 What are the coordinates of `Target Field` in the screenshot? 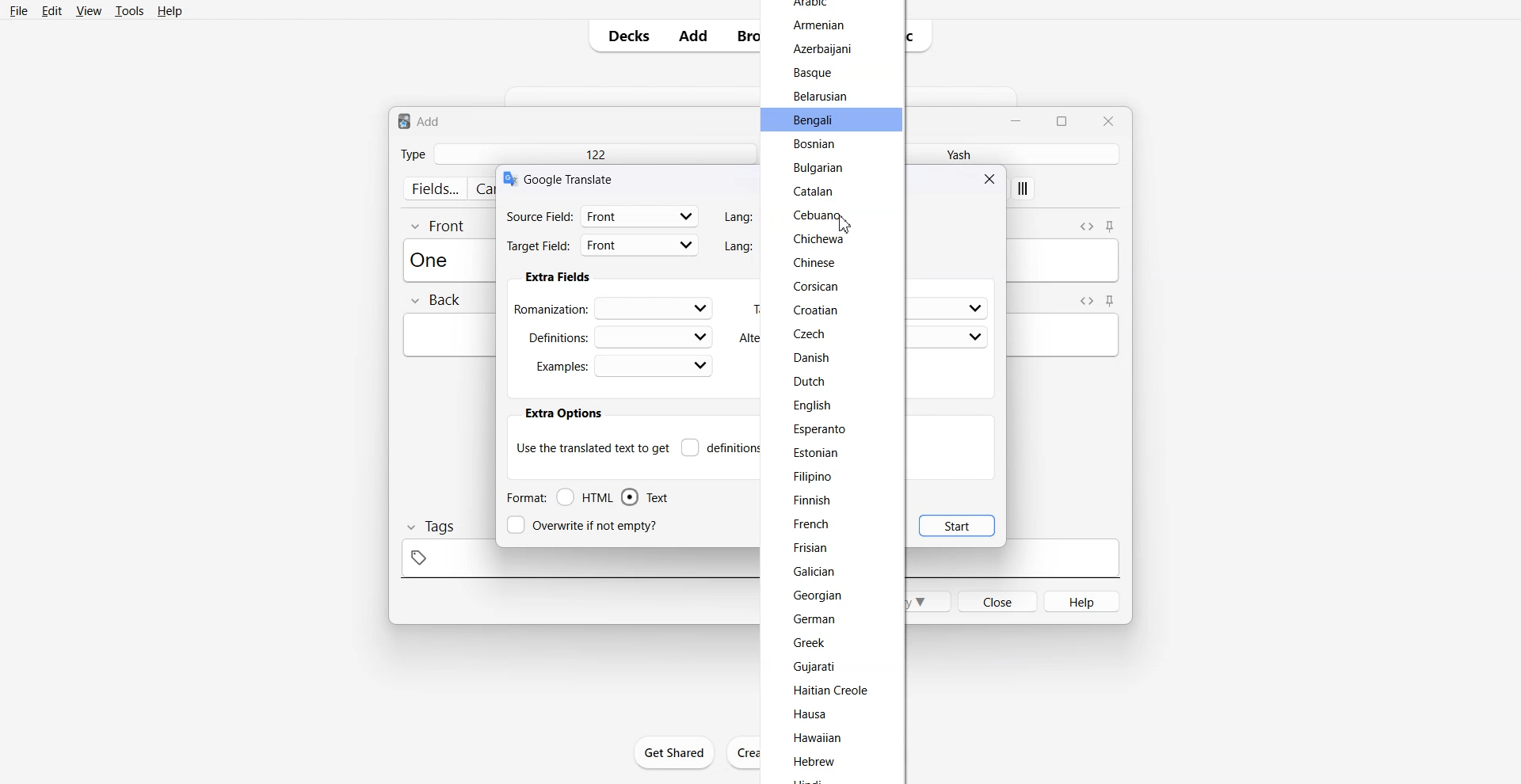 It's located at (603, 247).